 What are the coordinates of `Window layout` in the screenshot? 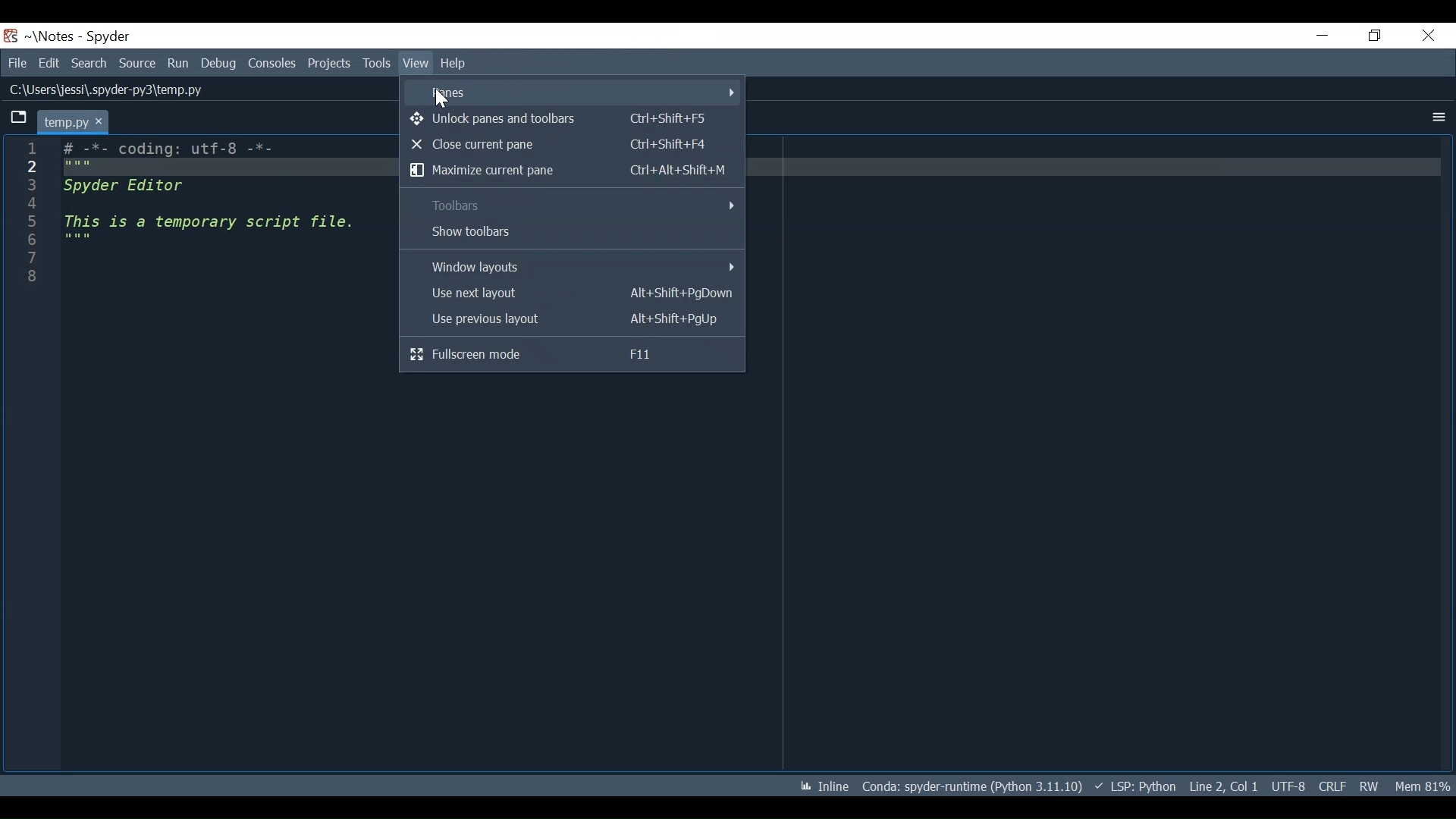 It's located at (574, 266).